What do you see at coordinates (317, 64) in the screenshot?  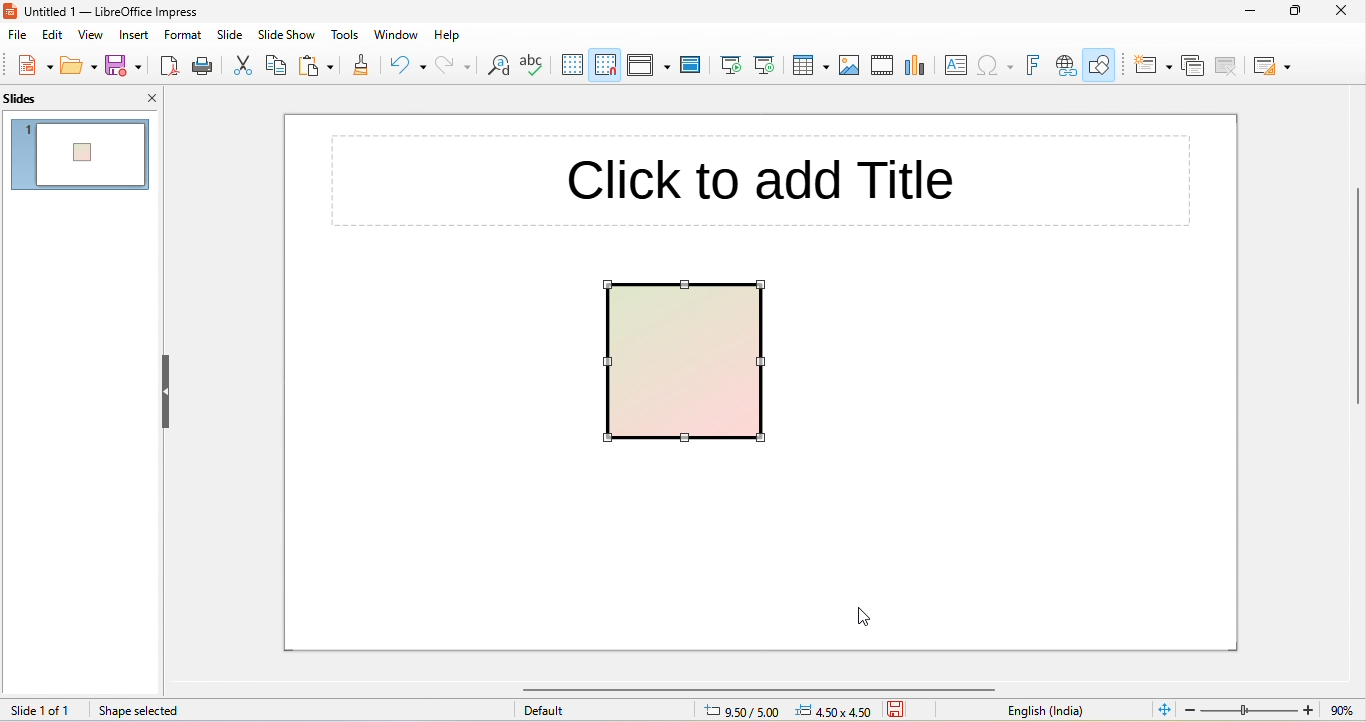 I see `paste` at bounding box center [317, 64].